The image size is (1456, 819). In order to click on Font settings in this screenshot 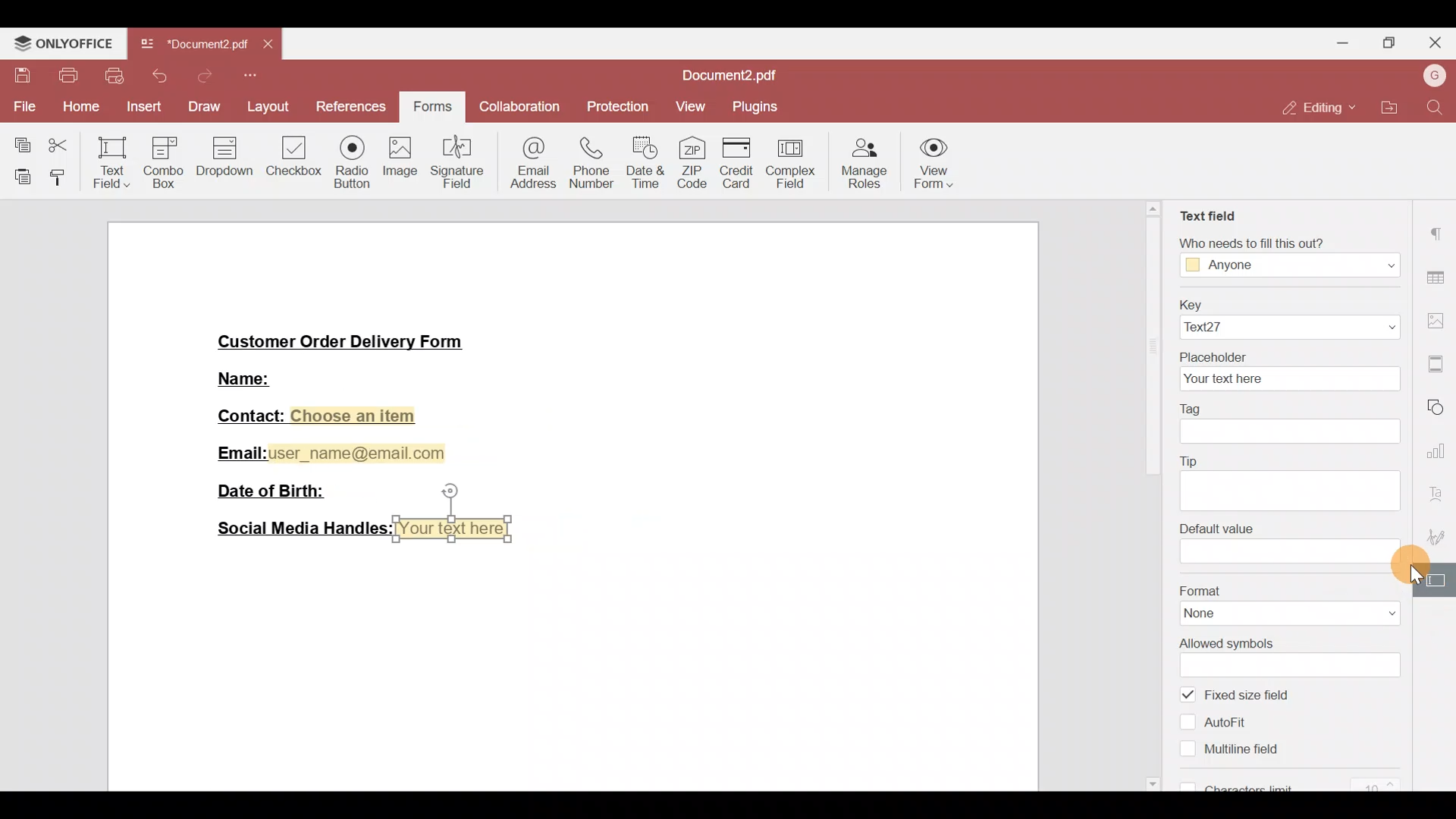, I will do `click(1442, 493)`.